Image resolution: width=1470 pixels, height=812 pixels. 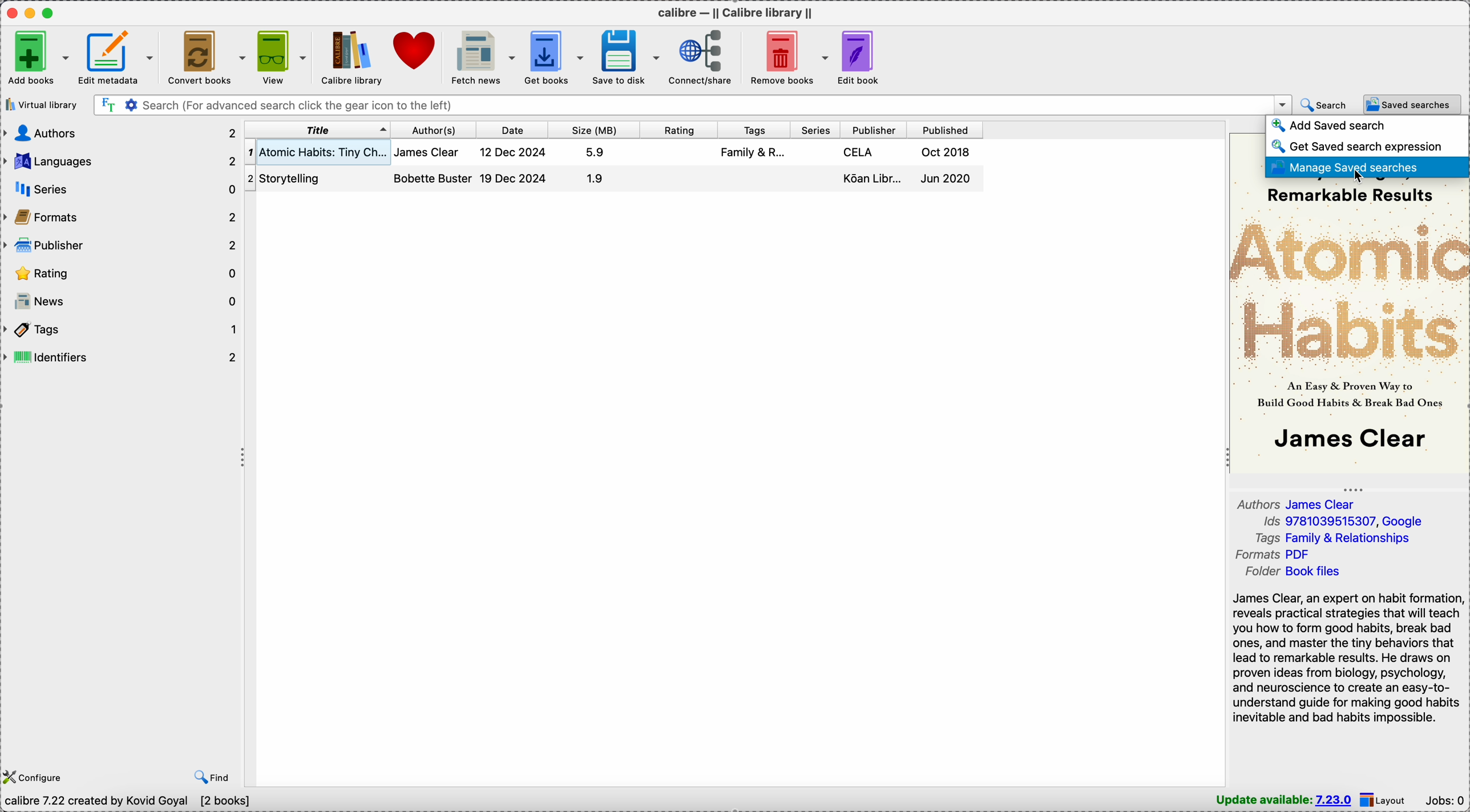 I want to click on published, so click(x=944, y=130).